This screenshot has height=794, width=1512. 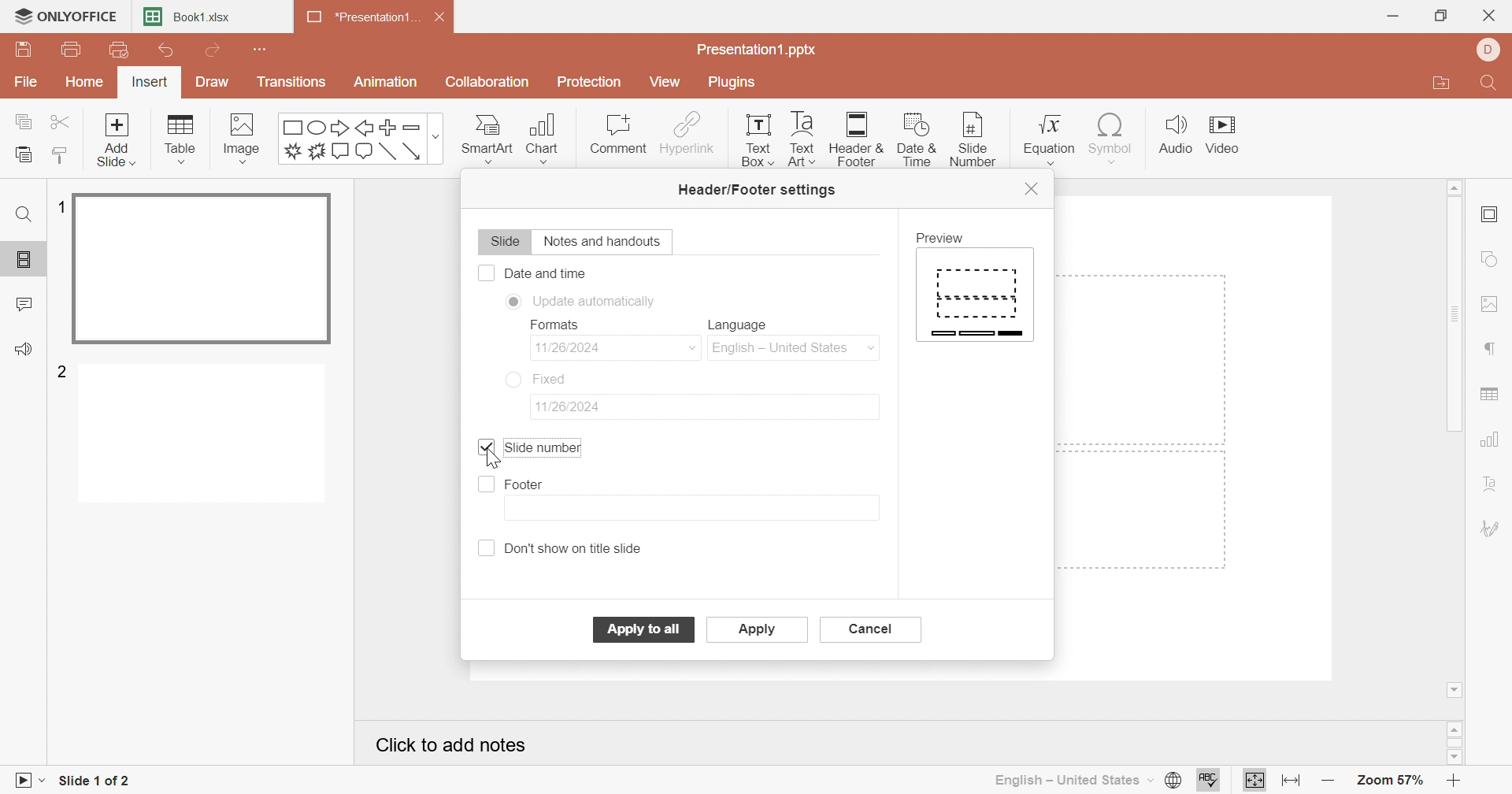 I want to click on Animation, so click(x=387, y=82).